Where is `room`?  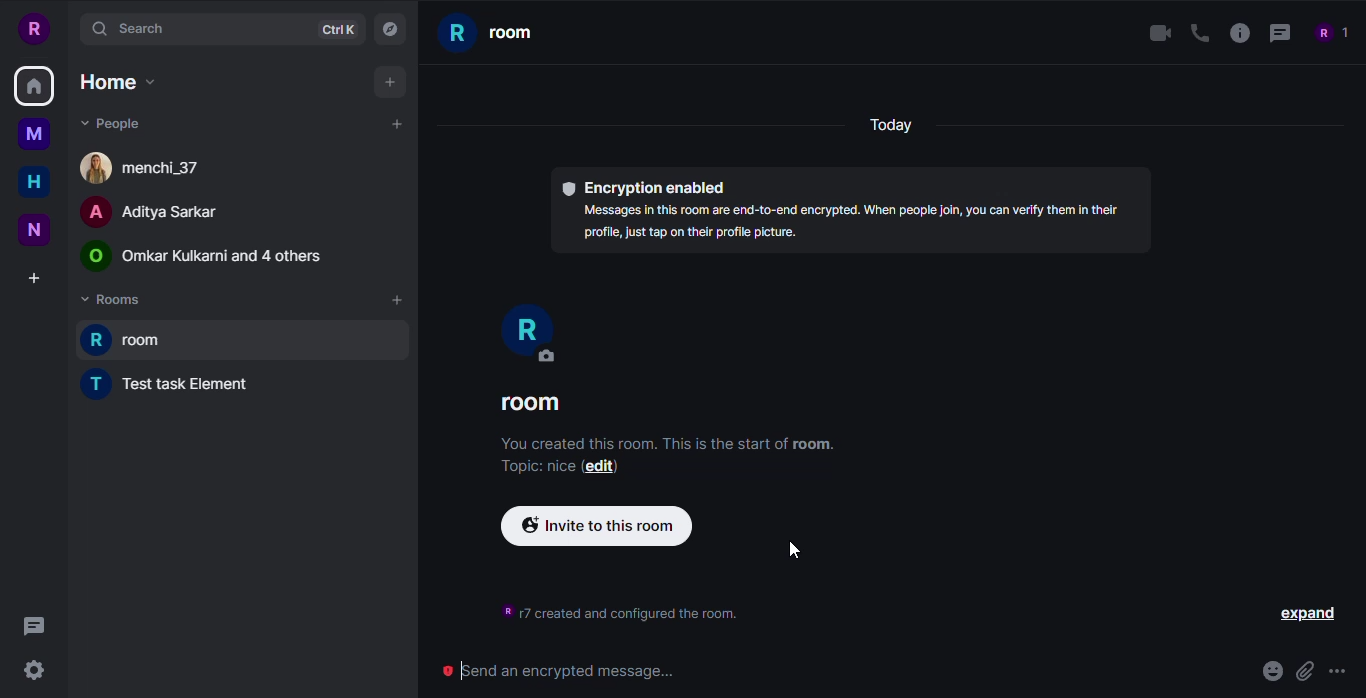 room is located at coordinates (519, 31).